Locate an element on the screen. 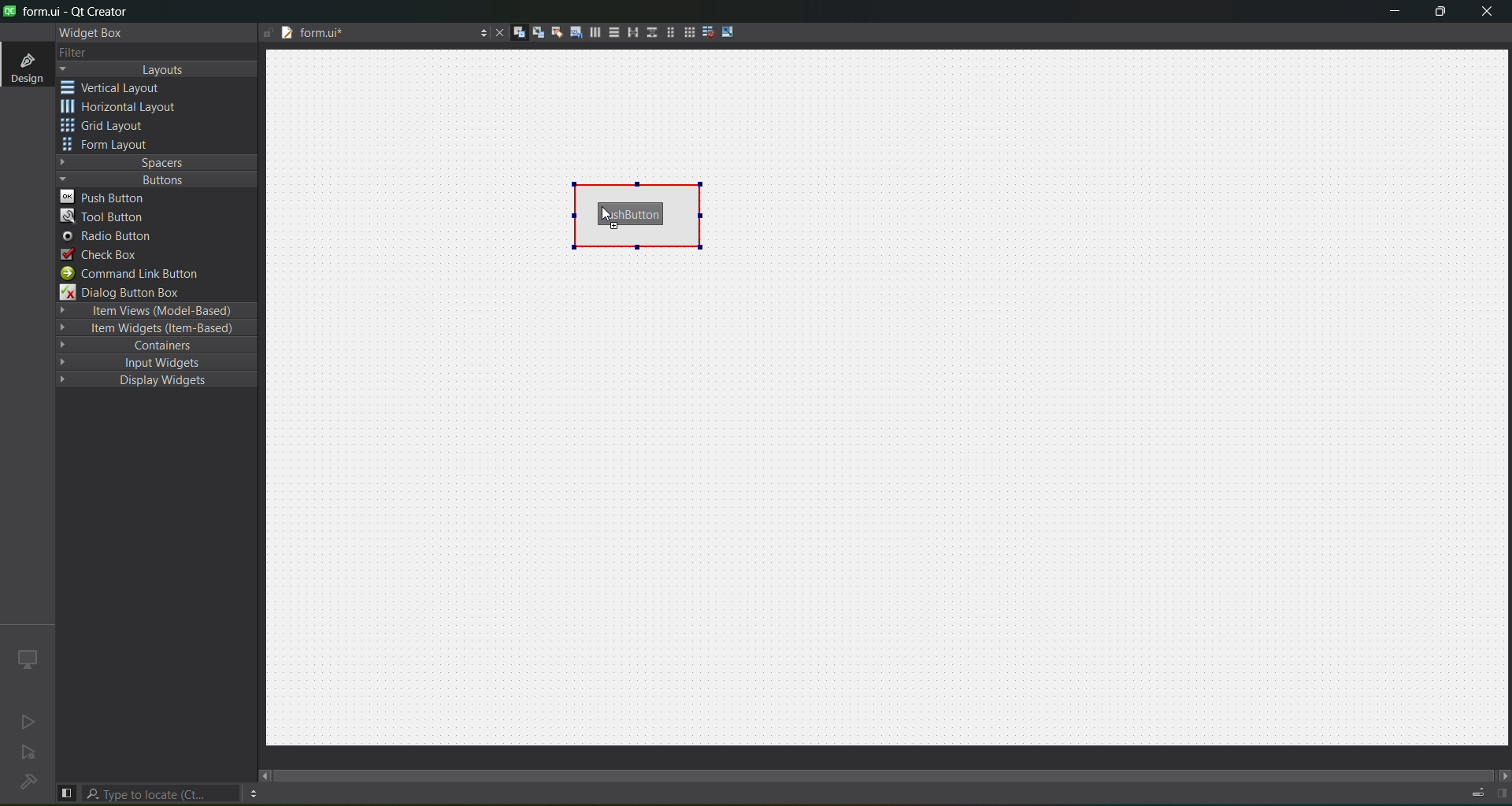  tool button is located at coordinates (104, 218).